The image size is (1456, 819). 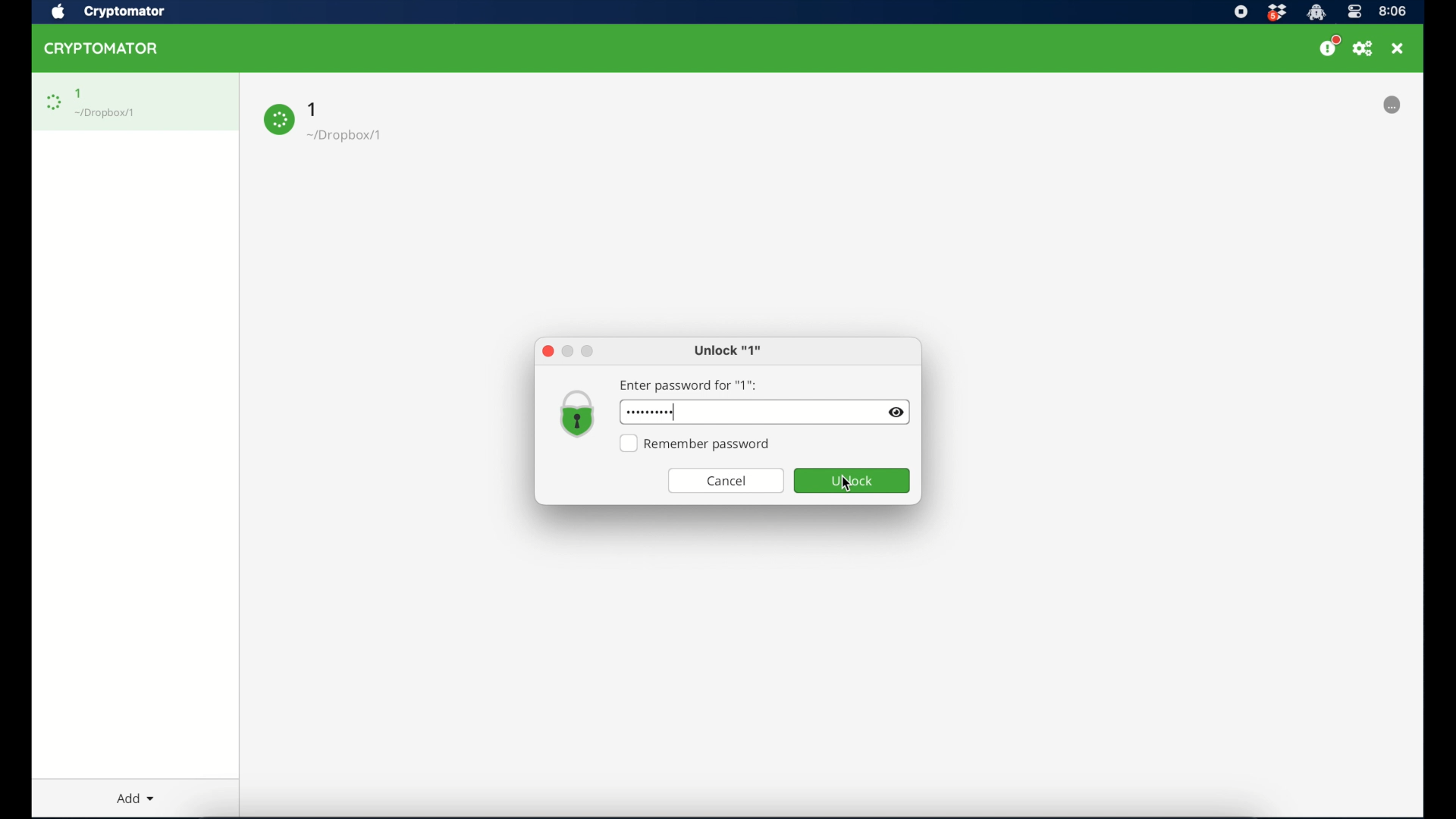 I want to click on hidden password, so click(x=650, y=412).